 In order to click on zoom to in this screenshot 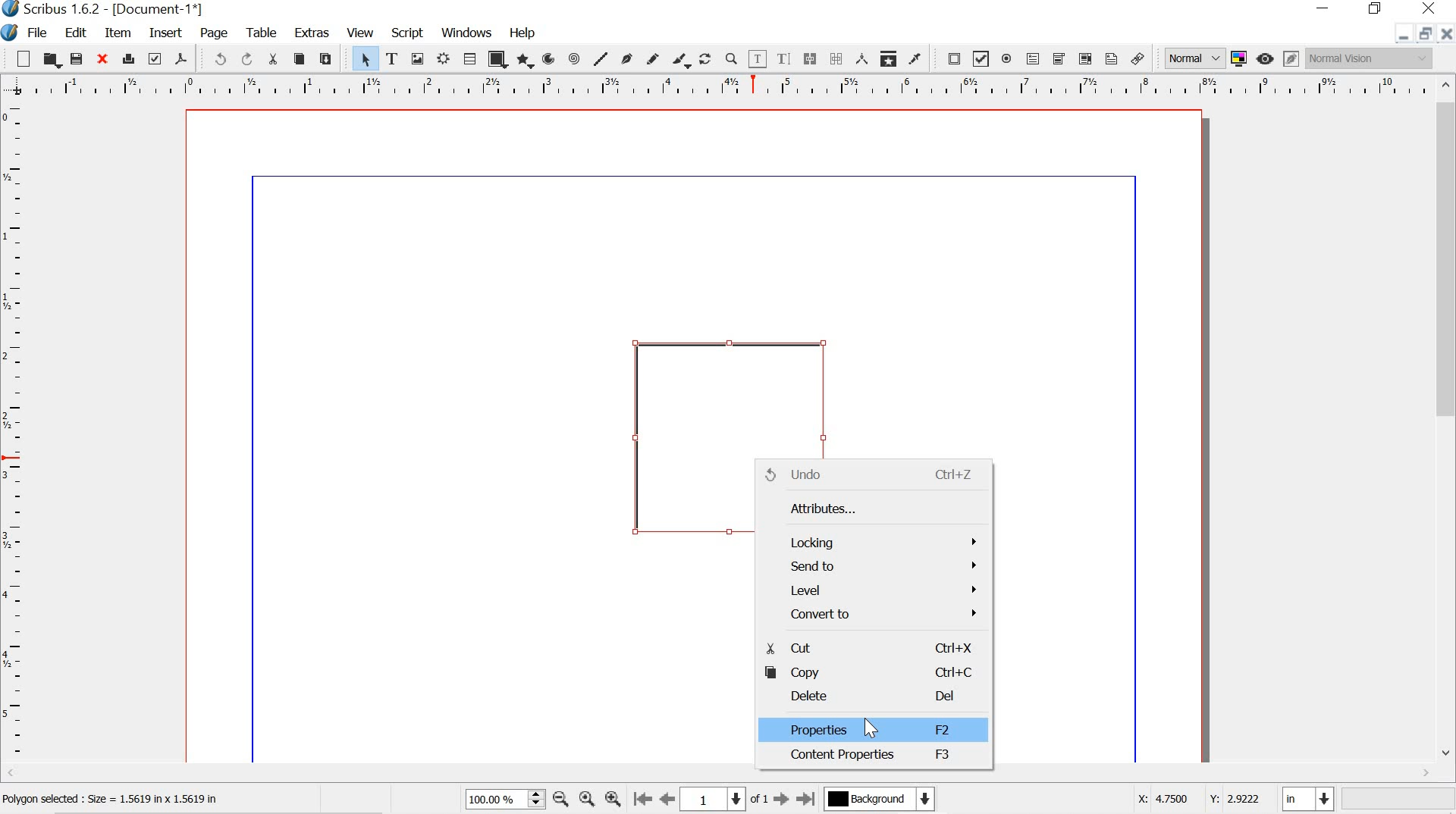, I will do `click(588, 800)`.